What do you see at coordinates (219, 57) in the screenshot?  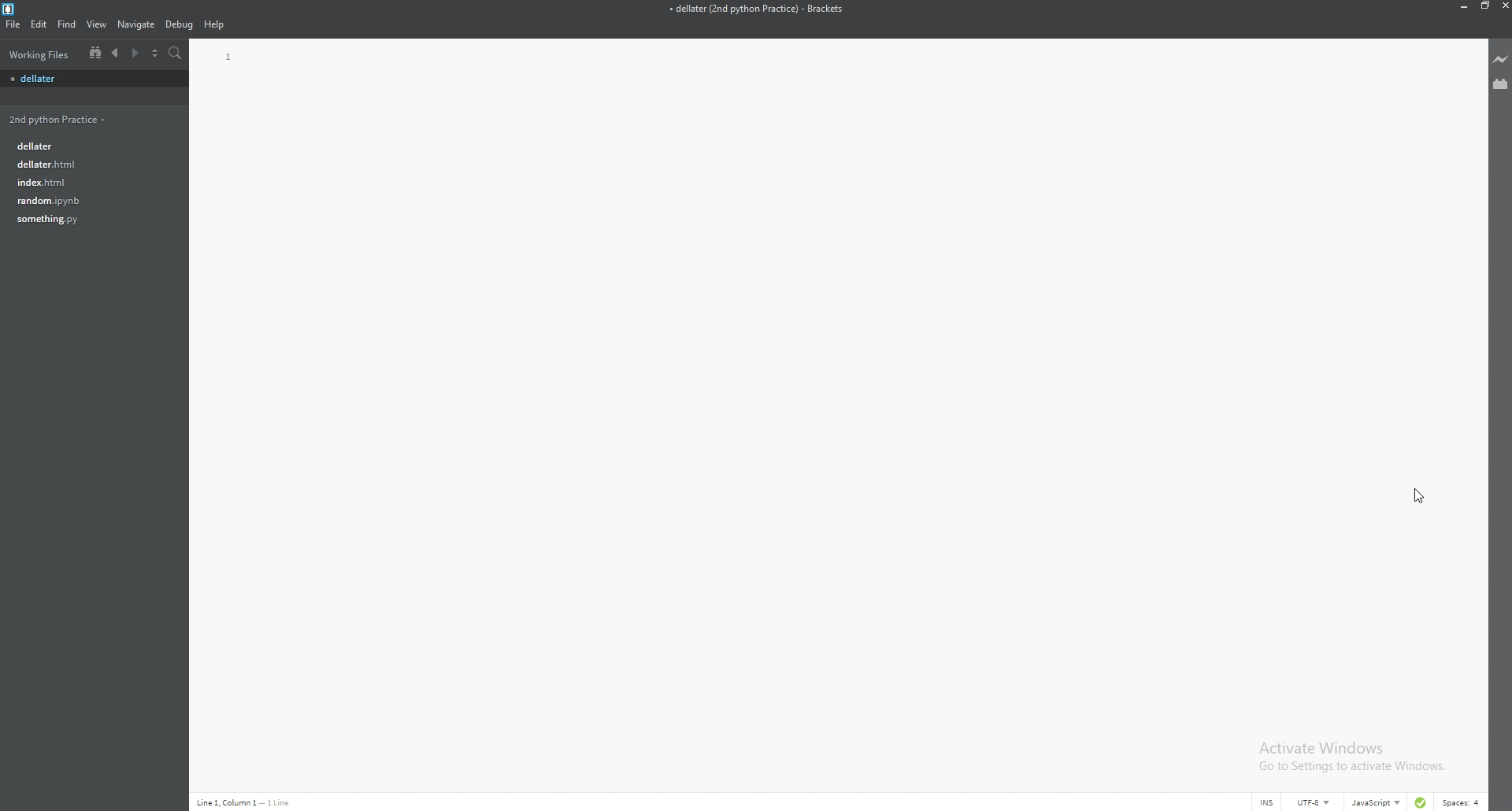 I see `line number` at bounding box center [219, 57].